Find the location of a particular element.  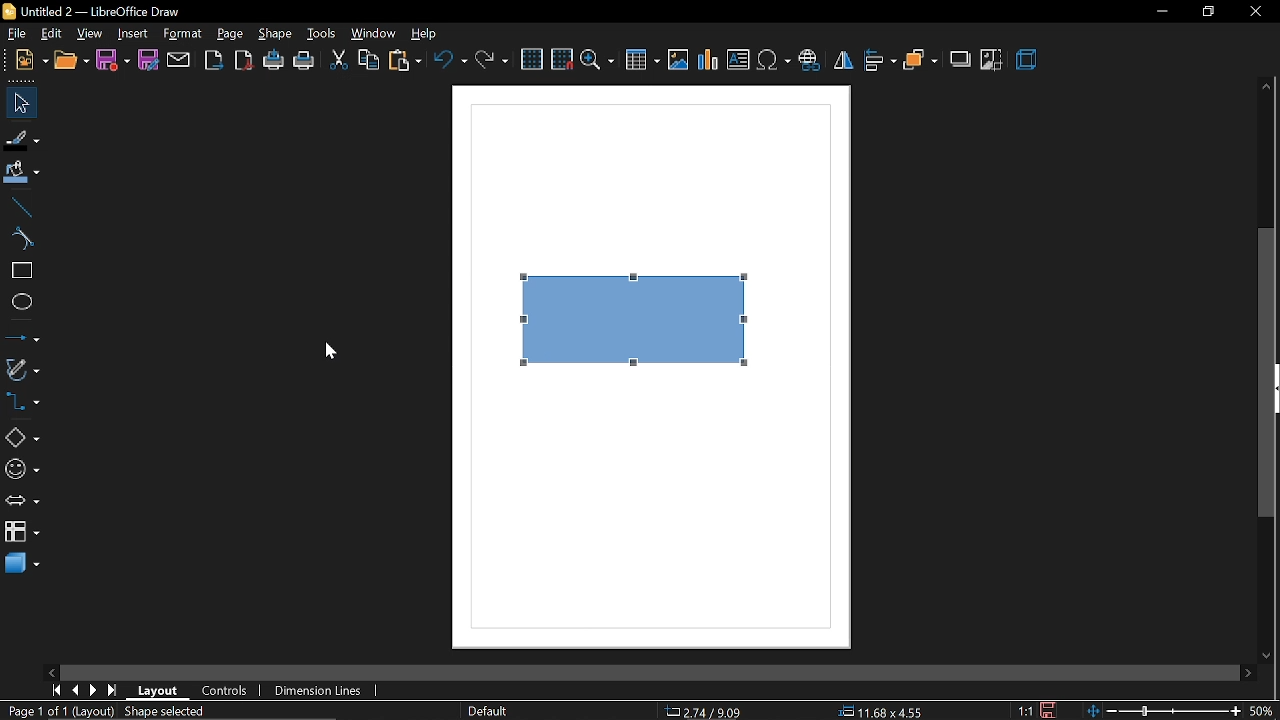

minimize is located at coordinates (1160, 12).